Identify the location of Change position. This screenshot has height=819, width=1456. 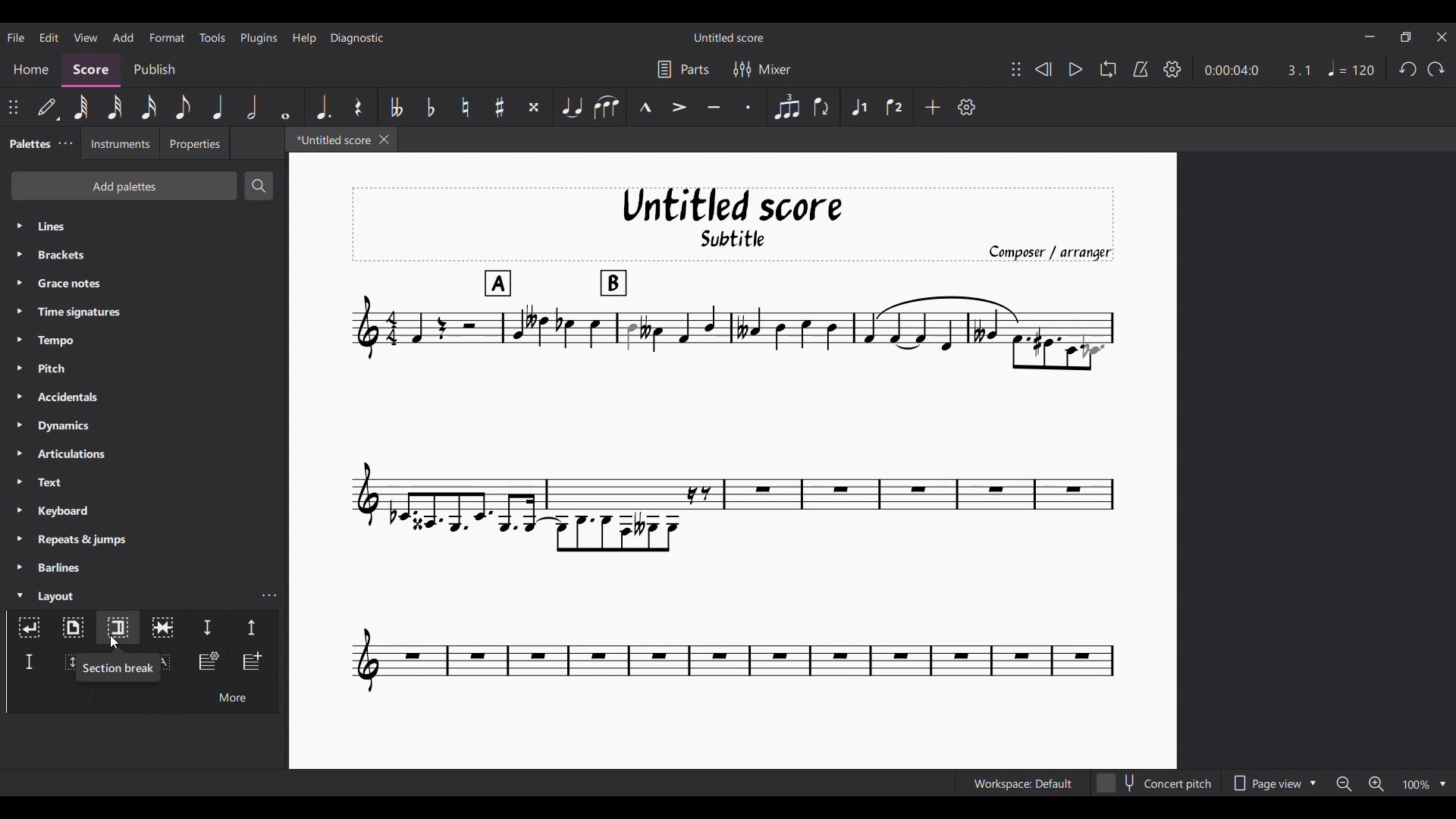
(1016, 69).